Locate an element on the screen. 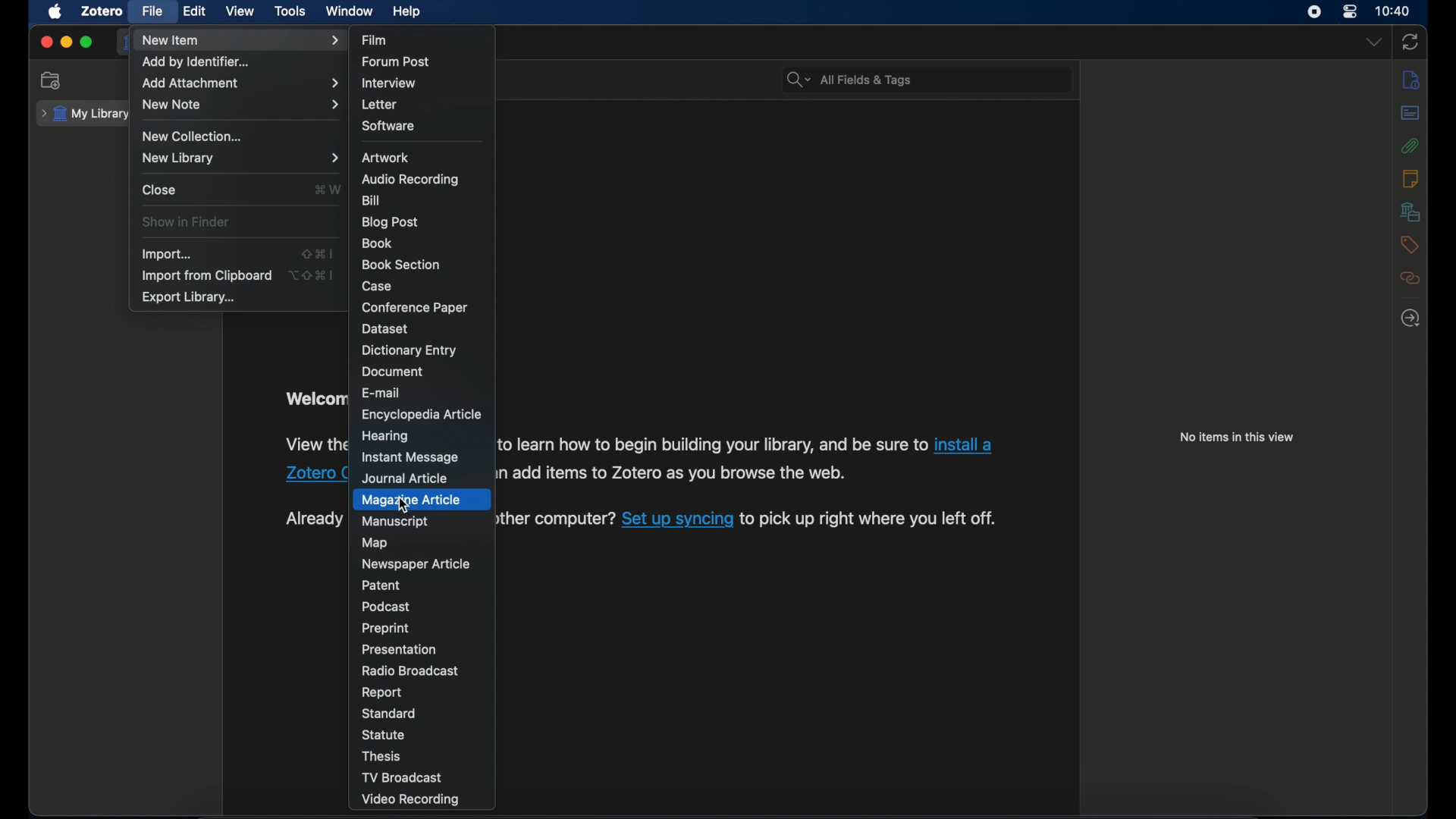  search bar is located at coordinates (849, 80).